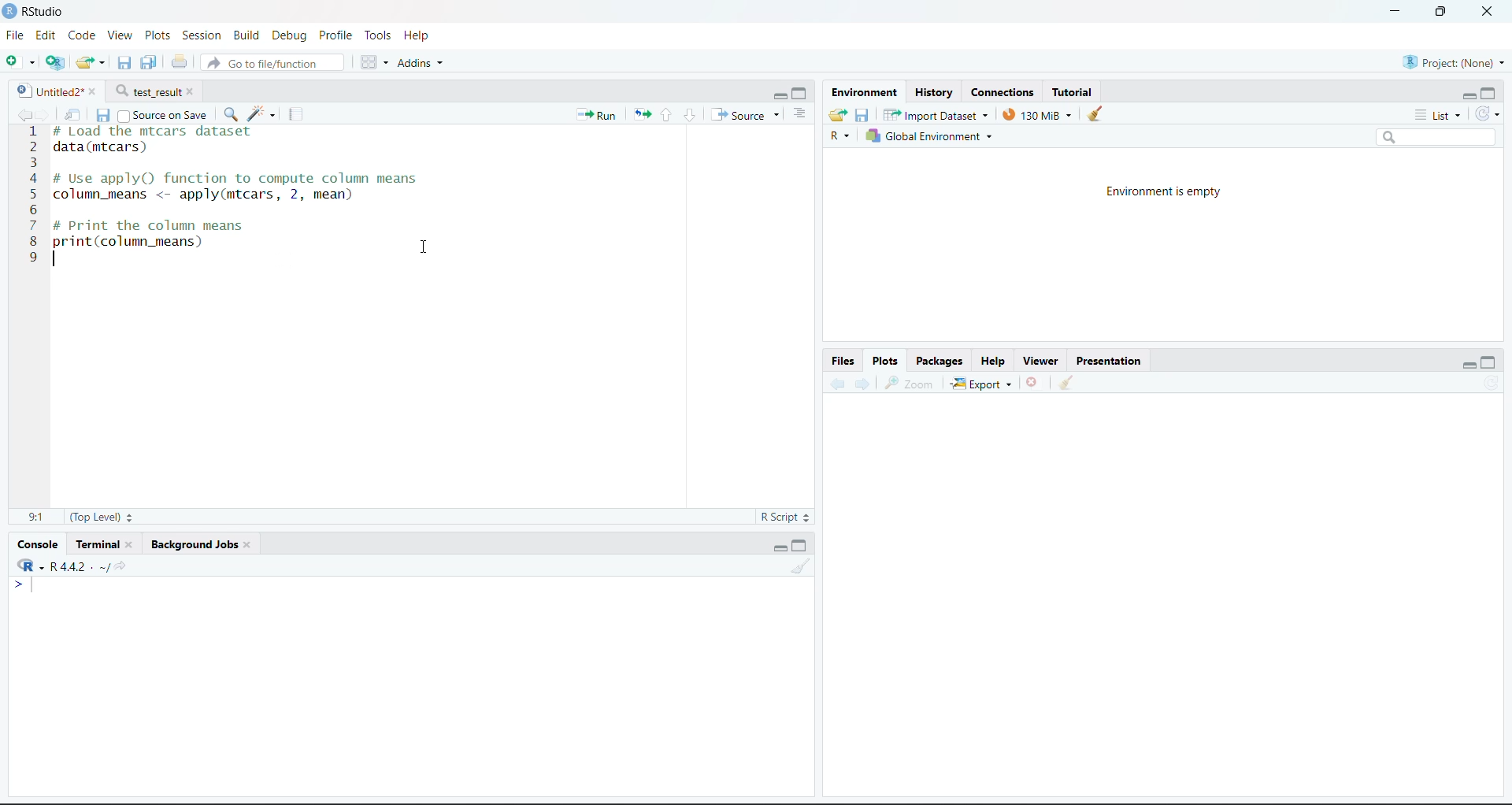 The image size is (1512, 805). I want to click on Minimize, so click(1466, 362).